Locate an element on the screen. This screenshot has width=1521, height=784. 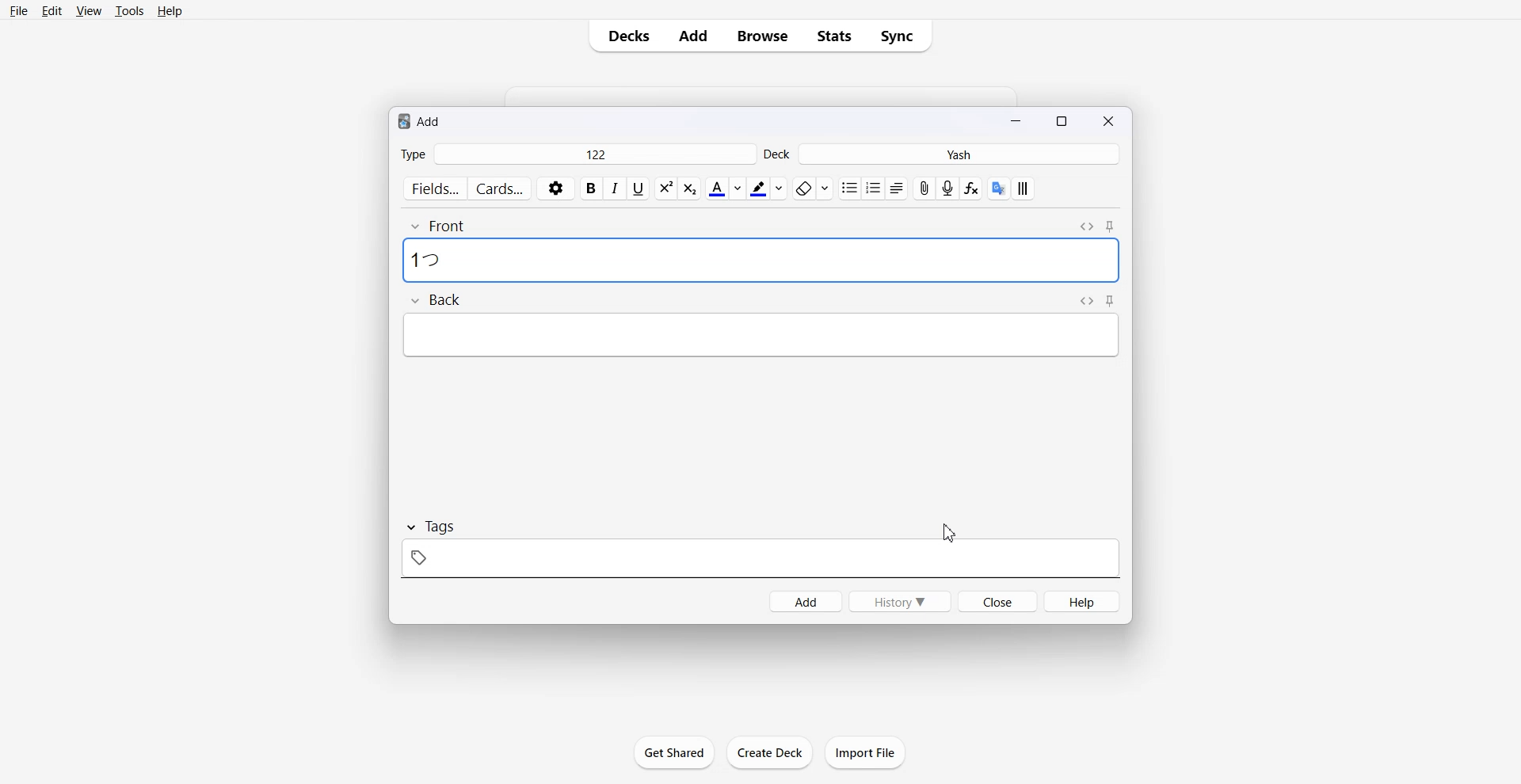
Equation is located at coordinates (972, 189).